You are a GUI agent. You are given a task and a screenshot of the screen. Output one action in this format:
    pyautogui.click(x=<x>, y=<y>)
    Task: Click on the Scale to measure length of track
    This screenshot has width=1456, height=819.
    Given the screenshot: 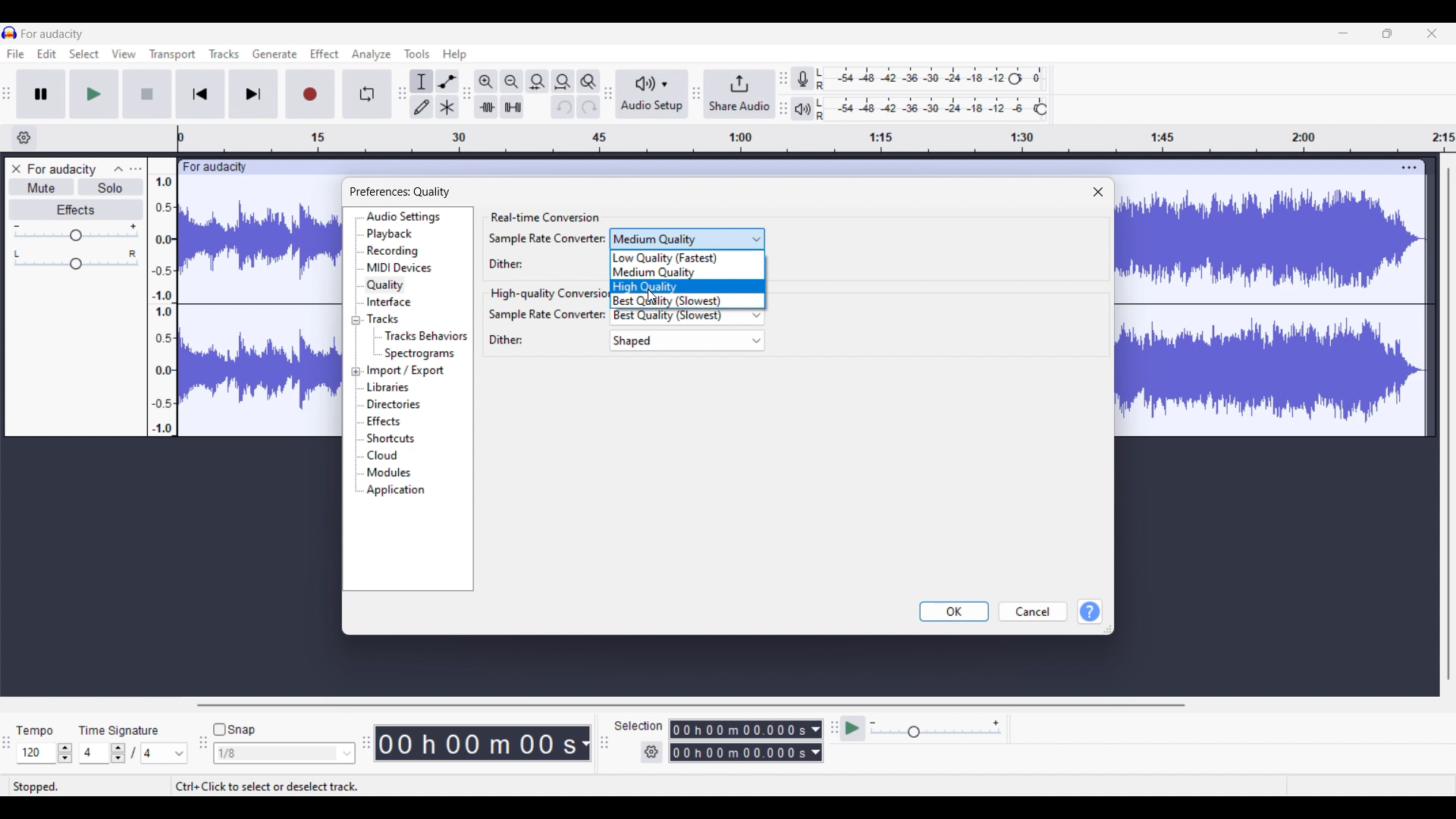 What is the action you would take?
    pyautogui.click(x=817, y=138)
    